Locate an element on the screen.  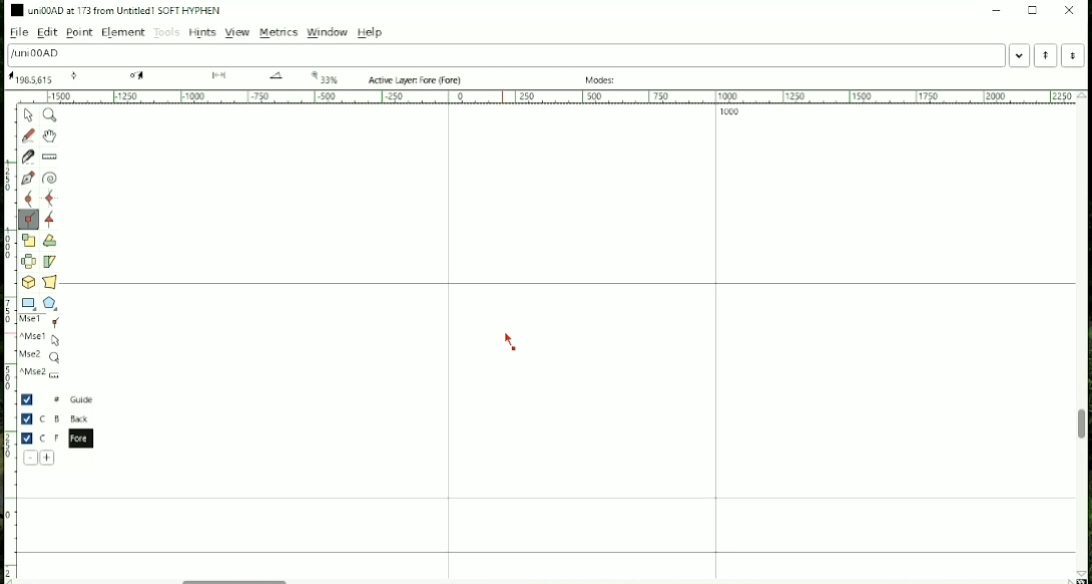
Help is located at coordinates (370, 32).